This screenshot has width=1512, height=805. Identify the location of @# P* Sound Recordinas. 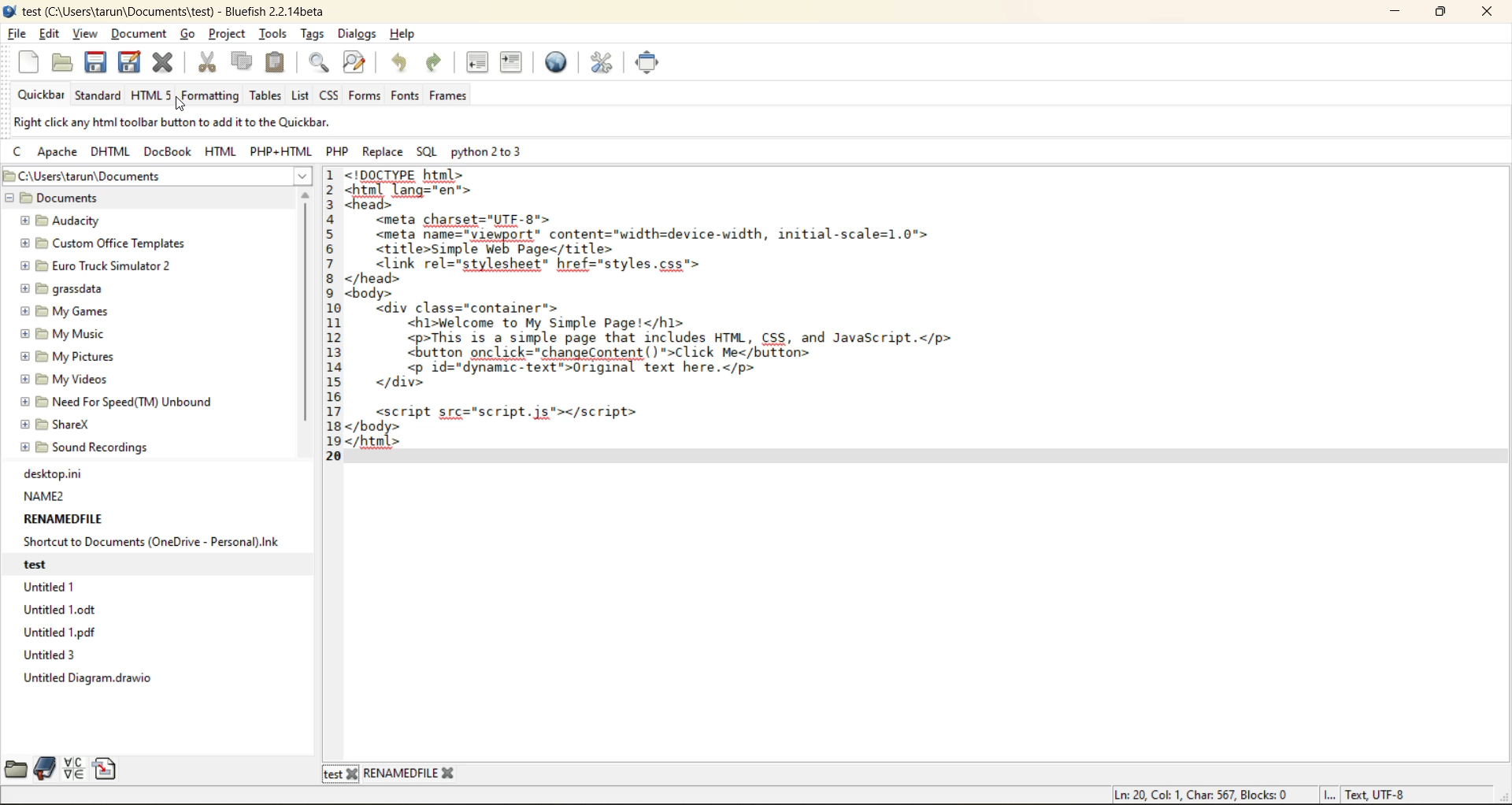
(87, 447).